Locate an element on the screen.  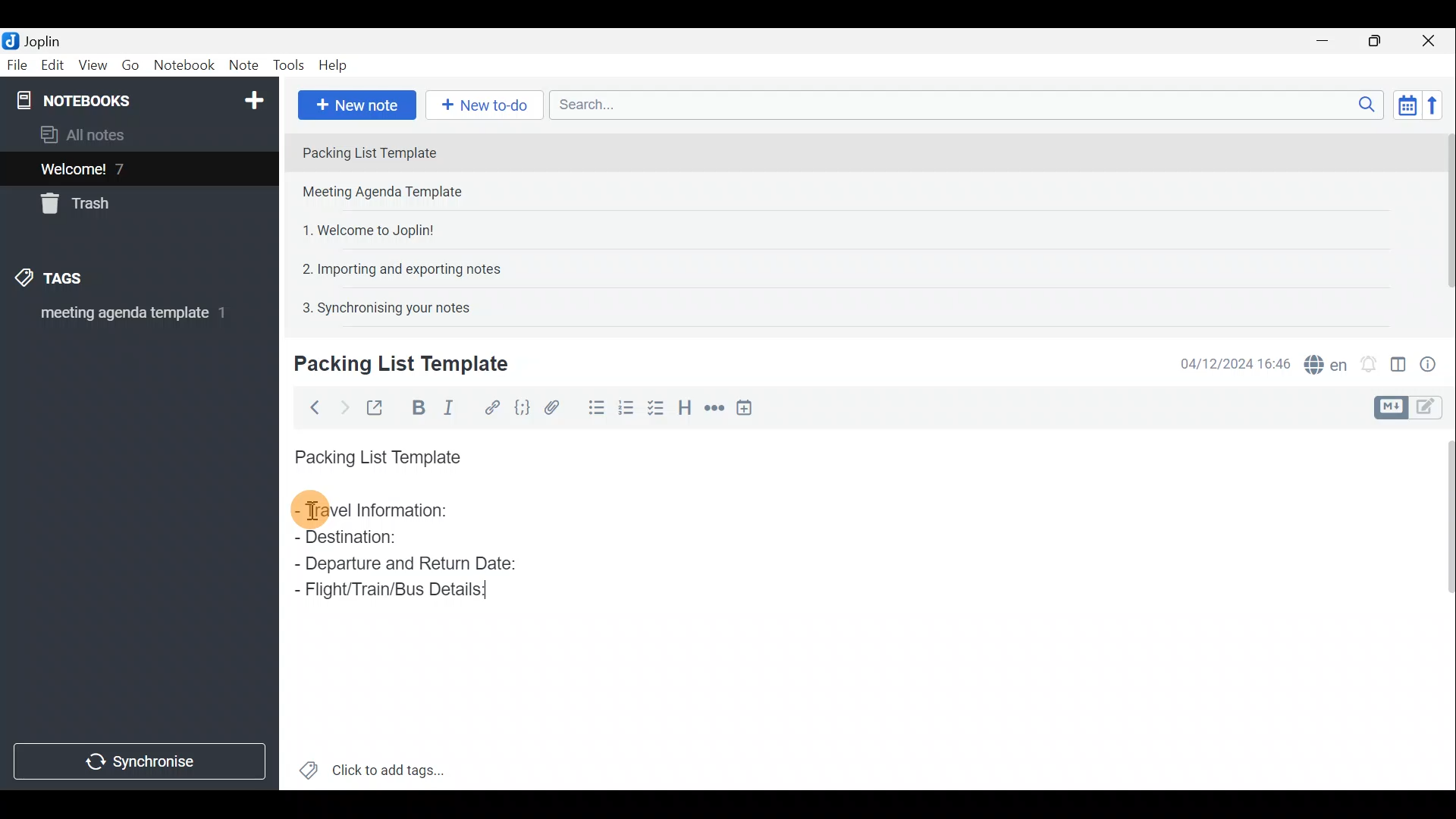
Insert time is located at coordinates (749, 407).